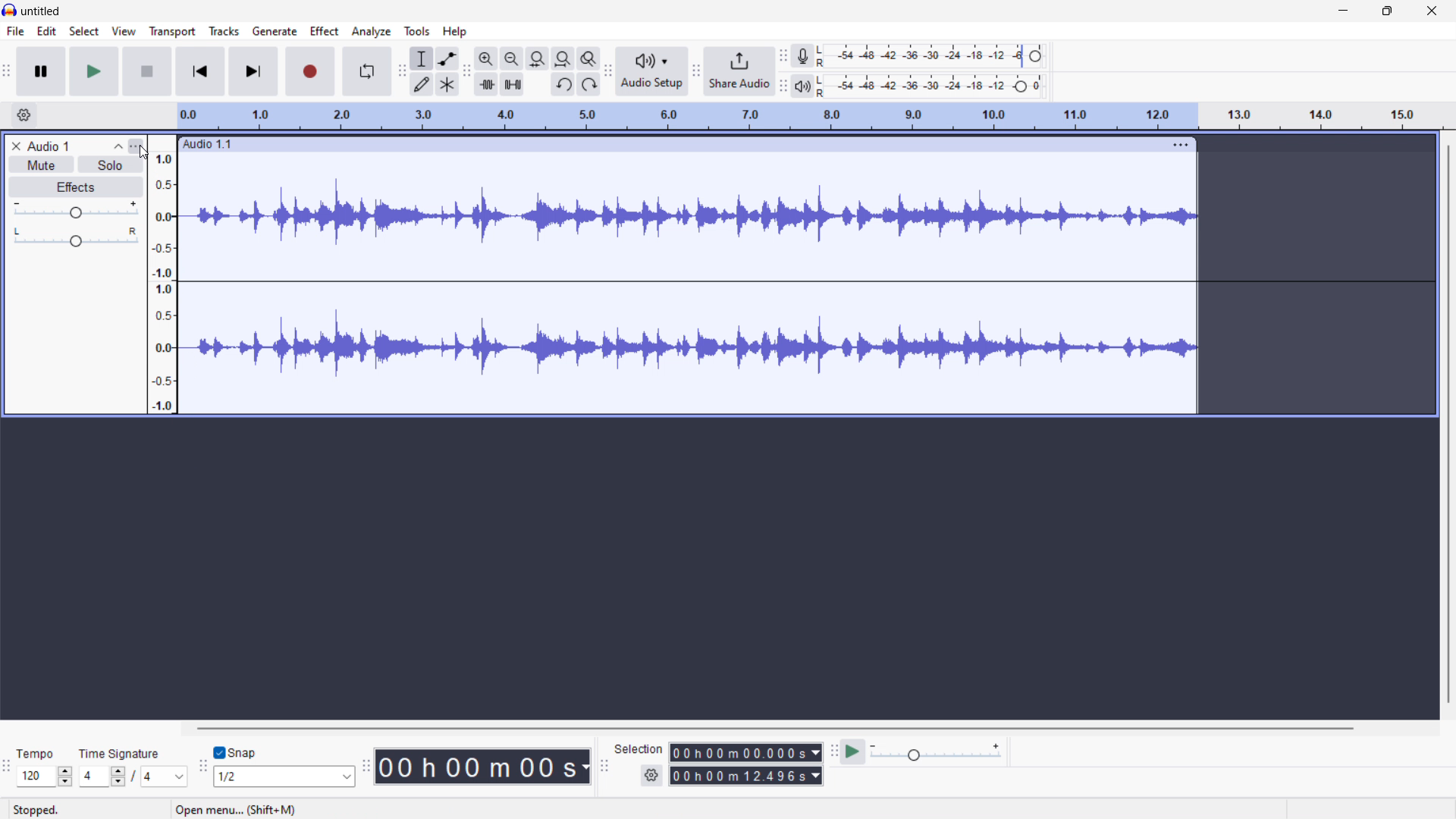  Describe the element at coordinates (484, 767) in the screenshot. I see `timestamp` at that location.